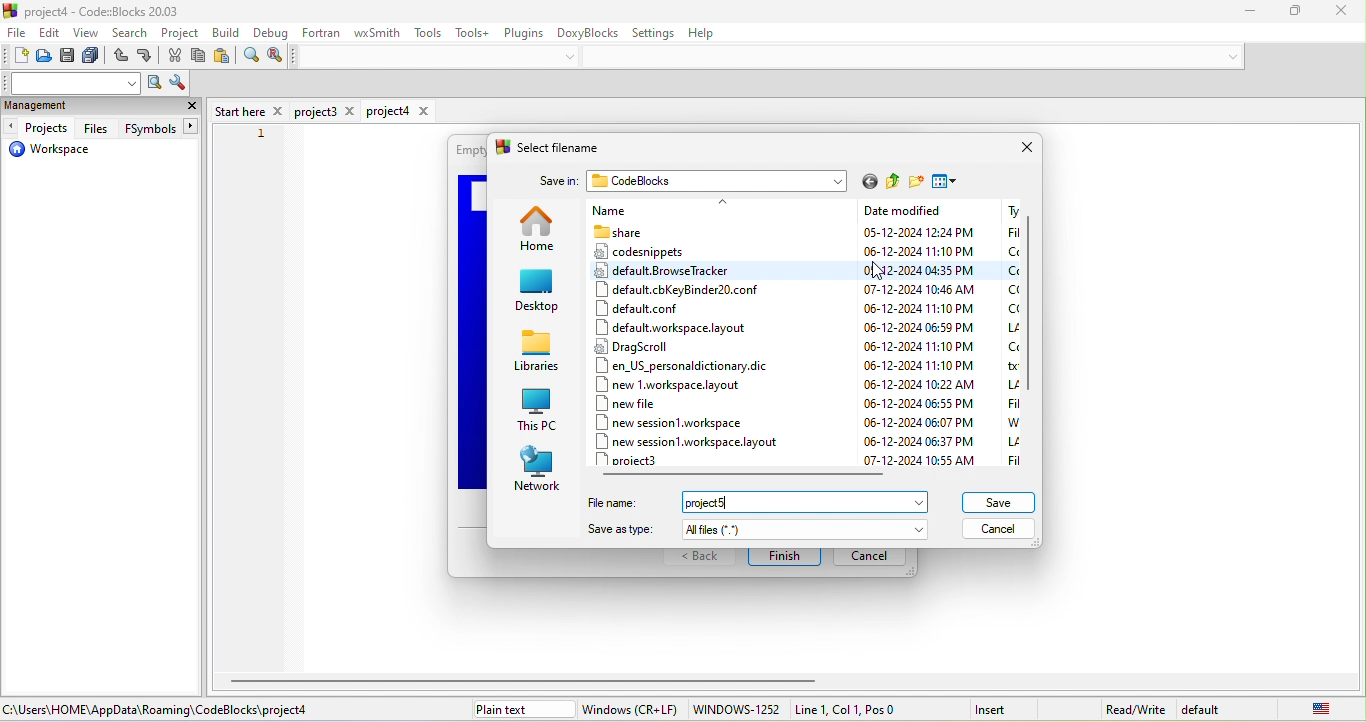  What do you see at coordinates (998, 502) in the screenshot?
I see `save` at bounding box center [998, 502].